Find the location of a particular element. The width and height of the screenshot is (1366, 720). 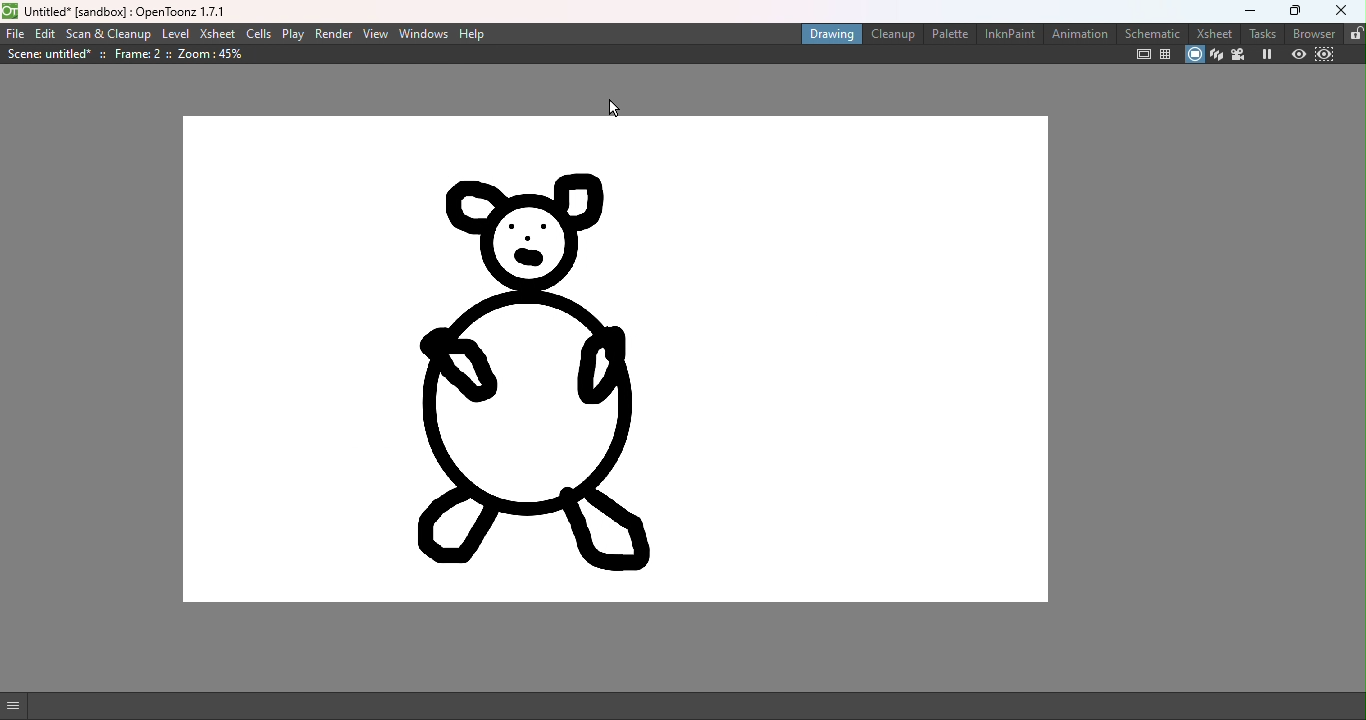

Preview is located at coordinates (1295, 54).